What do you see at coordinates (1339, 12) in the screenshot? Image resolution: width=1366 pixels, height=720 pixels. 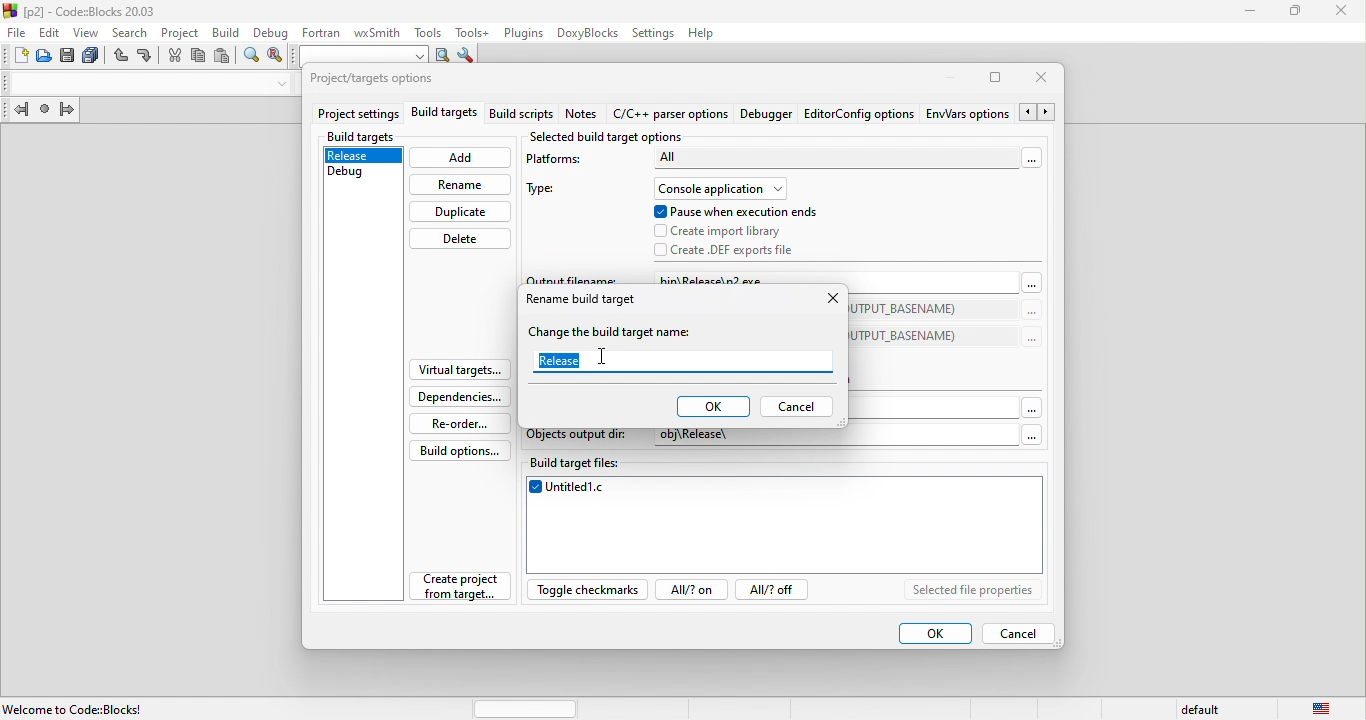 I see `close` at bounding box center [1339, 12].